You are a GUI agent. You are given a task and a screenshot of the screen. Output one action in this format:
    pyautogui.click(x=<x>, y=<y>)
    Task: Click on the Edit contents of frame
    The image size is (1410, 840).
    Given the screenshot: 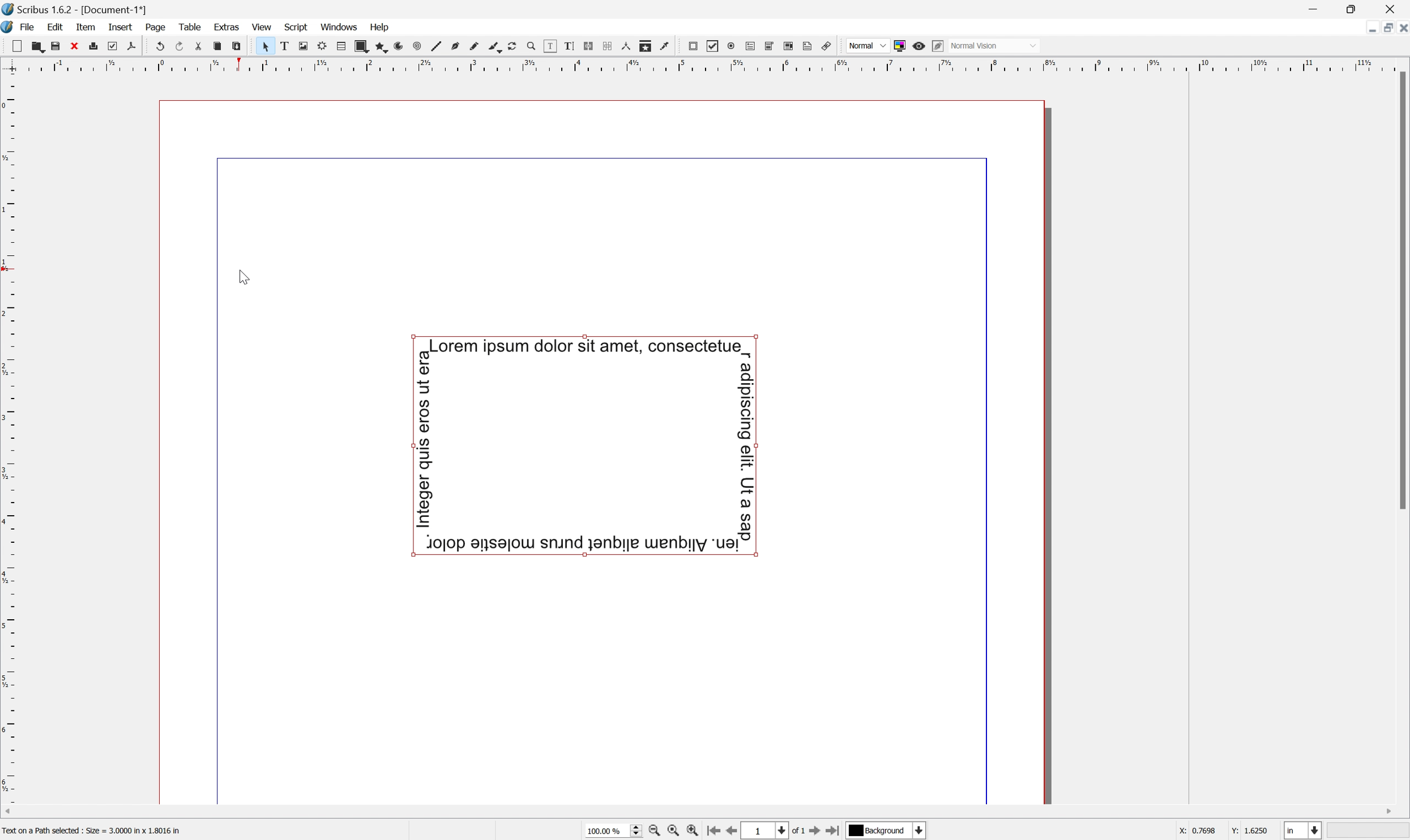 What is the action you would take?
    pyautogui.click(x=549, y=45)
    